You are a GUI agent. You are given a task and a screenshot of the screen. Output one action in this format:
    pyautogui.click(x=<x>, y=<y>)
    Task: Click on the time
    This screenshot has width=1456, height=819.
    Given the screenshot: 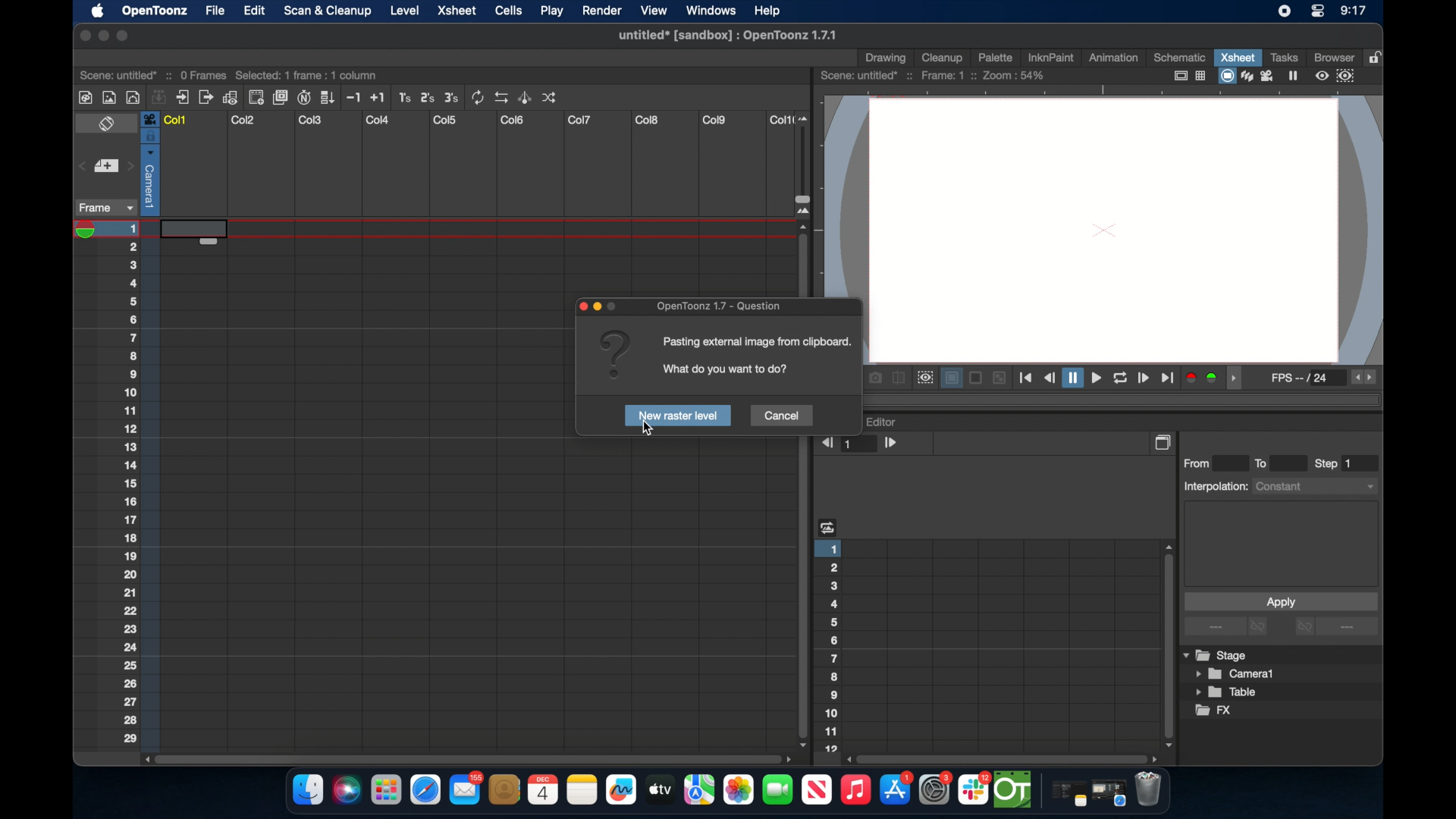 What is the action you would take?
    pyautogui.click(x=1353, y=12)
    